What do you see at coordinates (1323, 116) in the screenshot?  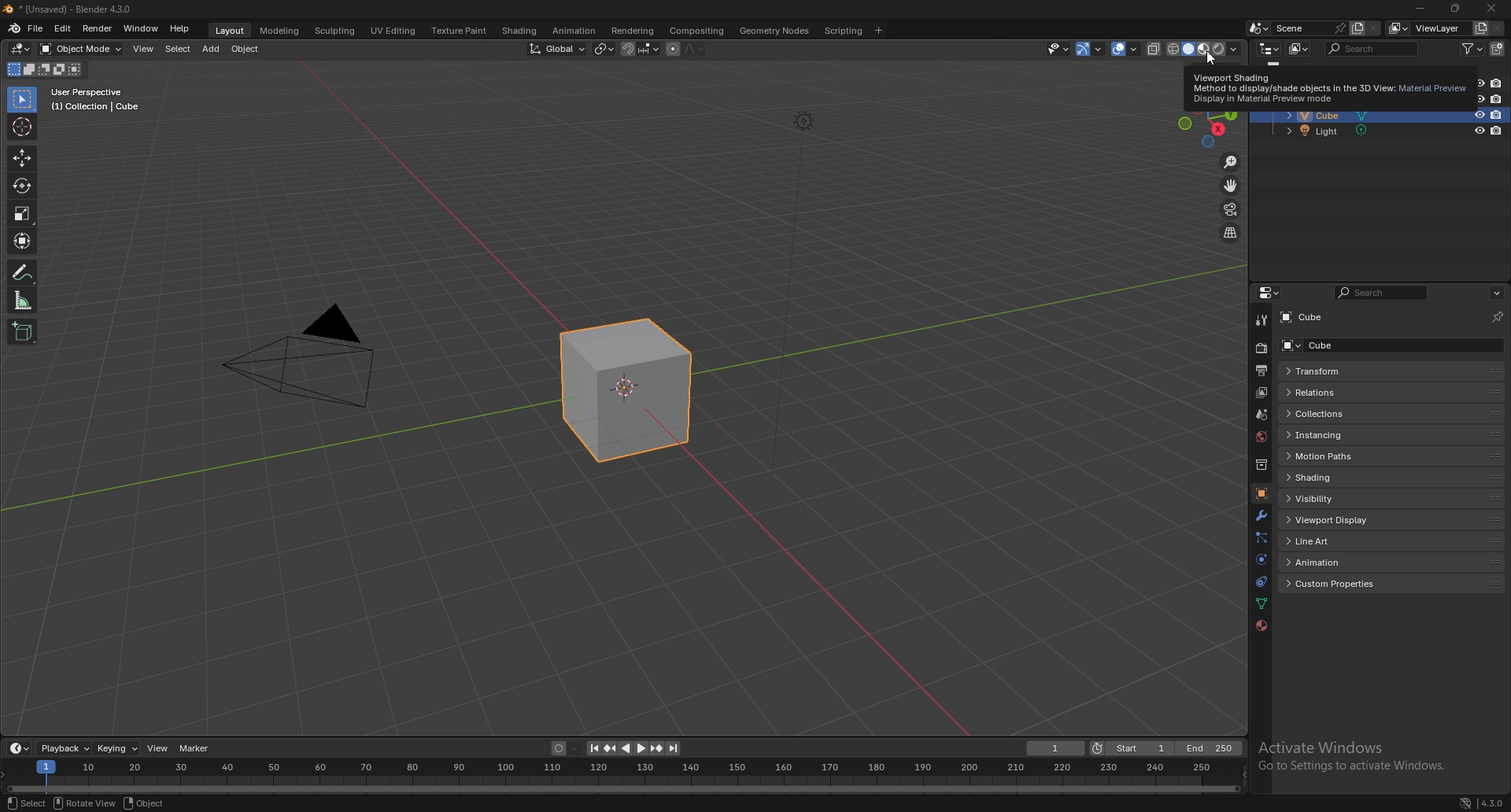 I see `cube` at bounding box center [1323, 116].